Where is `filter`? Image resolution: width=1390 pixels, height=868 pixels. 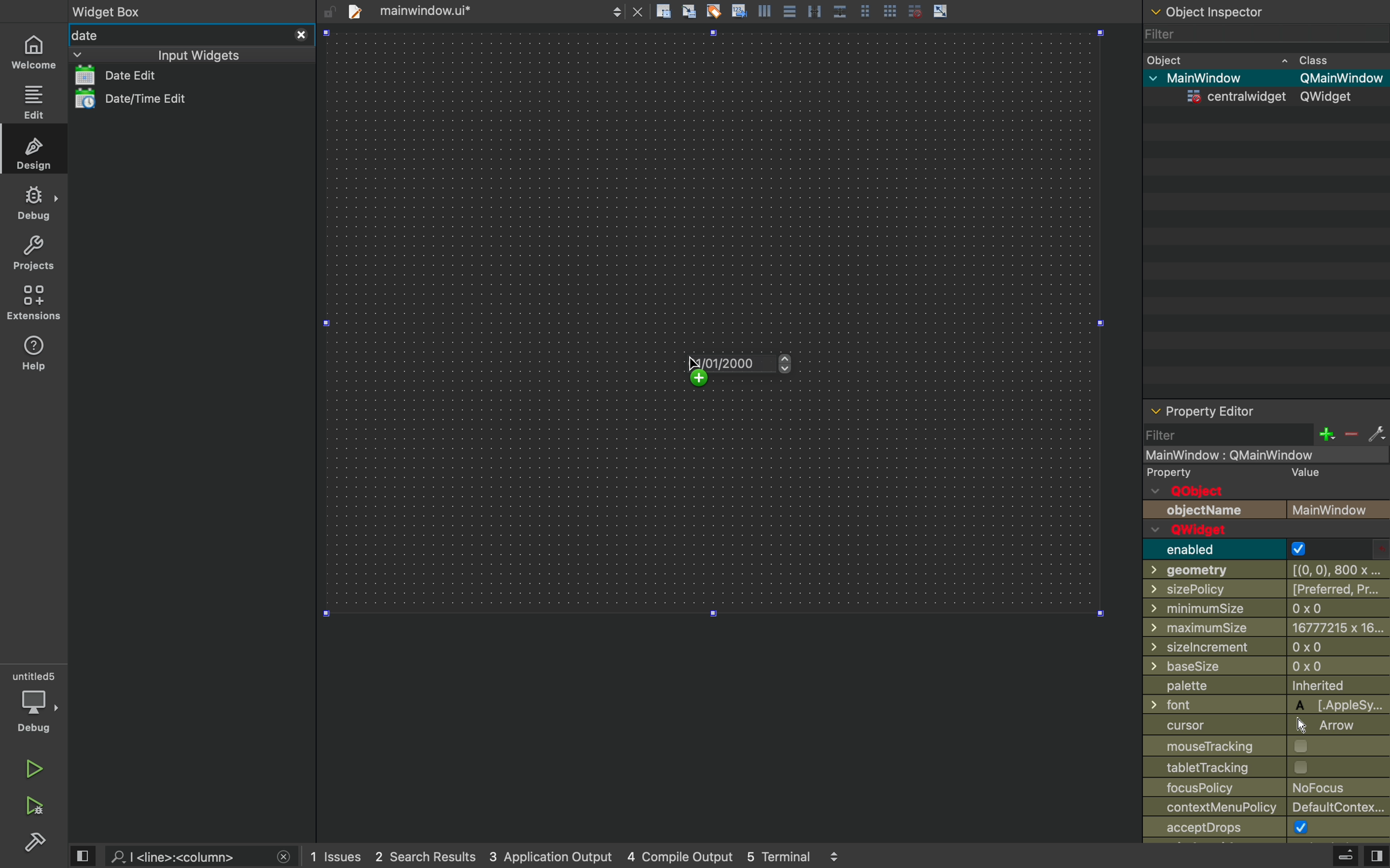 filter is located at coordinates (1171, 33).